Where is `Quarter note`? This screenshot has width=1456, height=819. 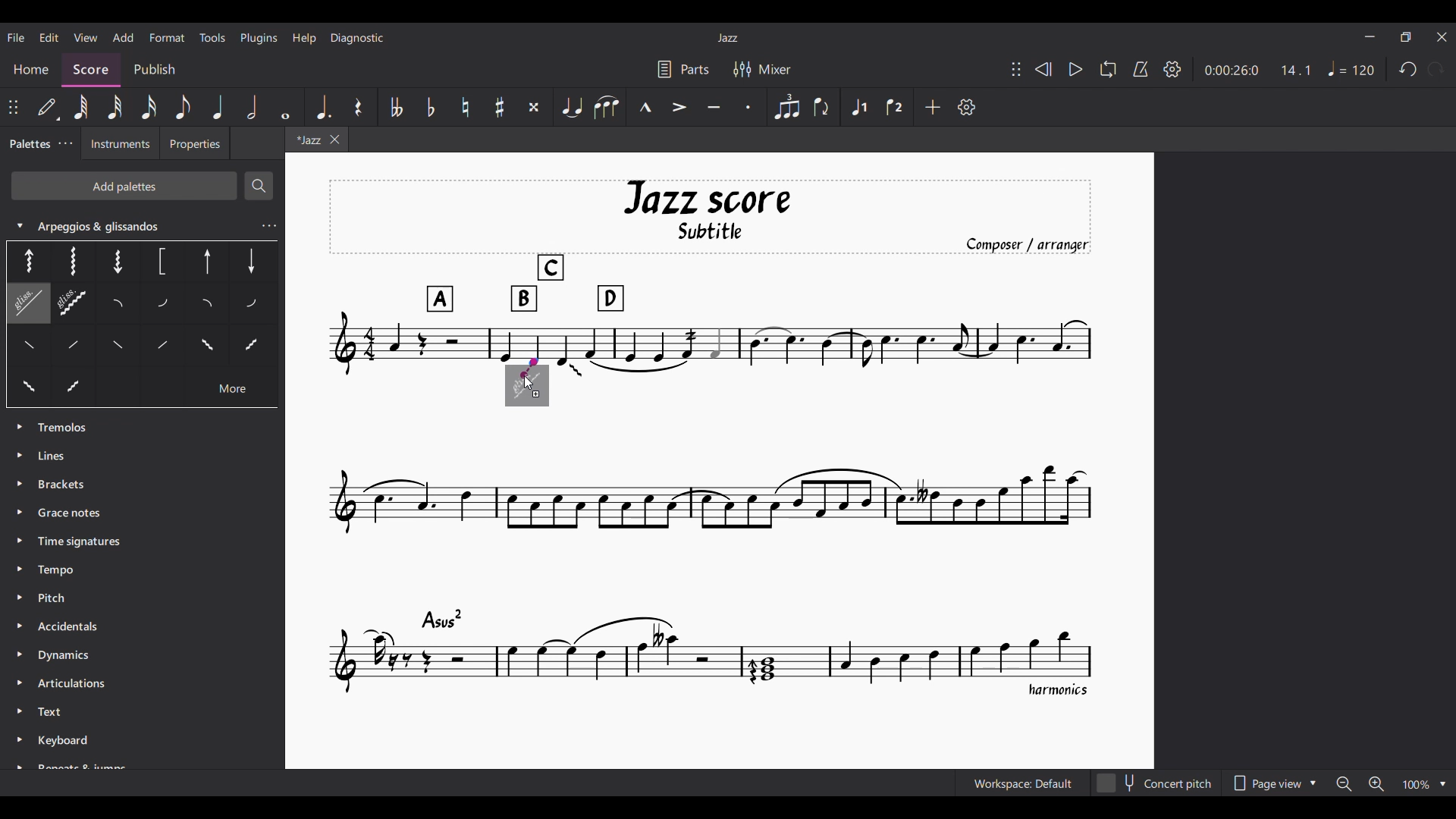 Quarter note is located at coordinates (217, 107).